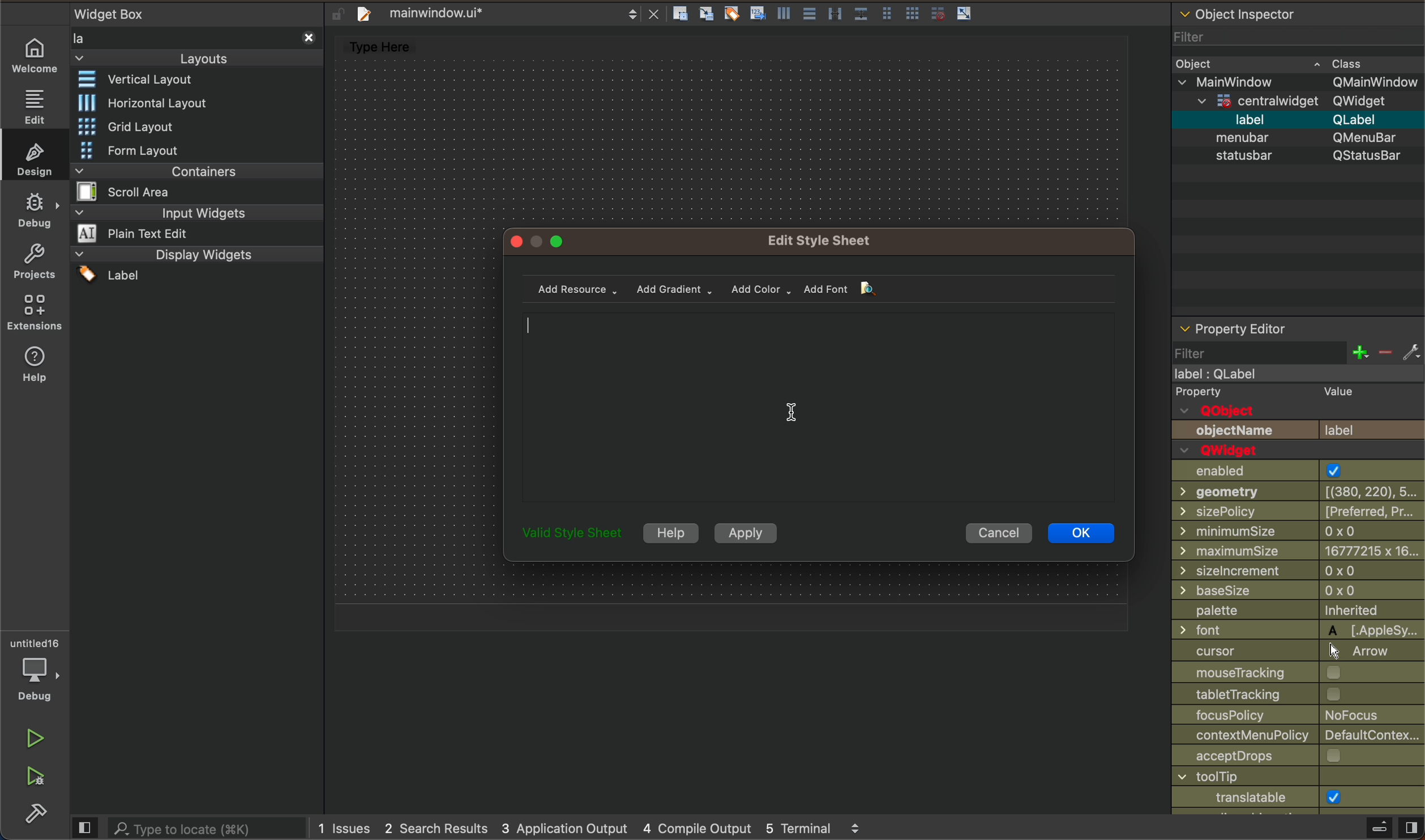 The height and width of the screenshot is (840, 1425). What do you see at coordinates (1295, 494) in the screenshot?
I see `` at bounding box center [1295, 494].